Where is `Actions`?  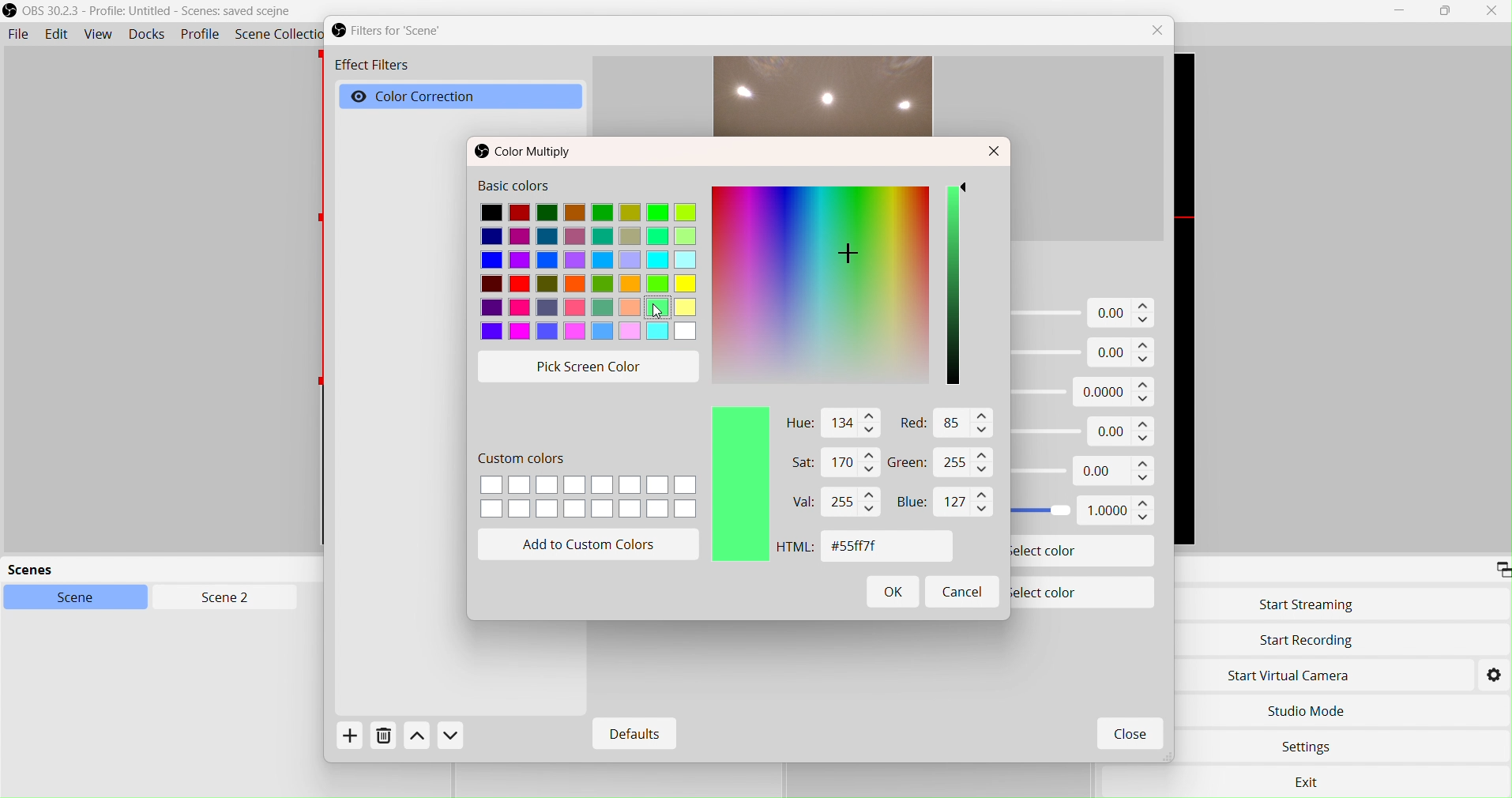 Actions is located at coordinates (434, 737).